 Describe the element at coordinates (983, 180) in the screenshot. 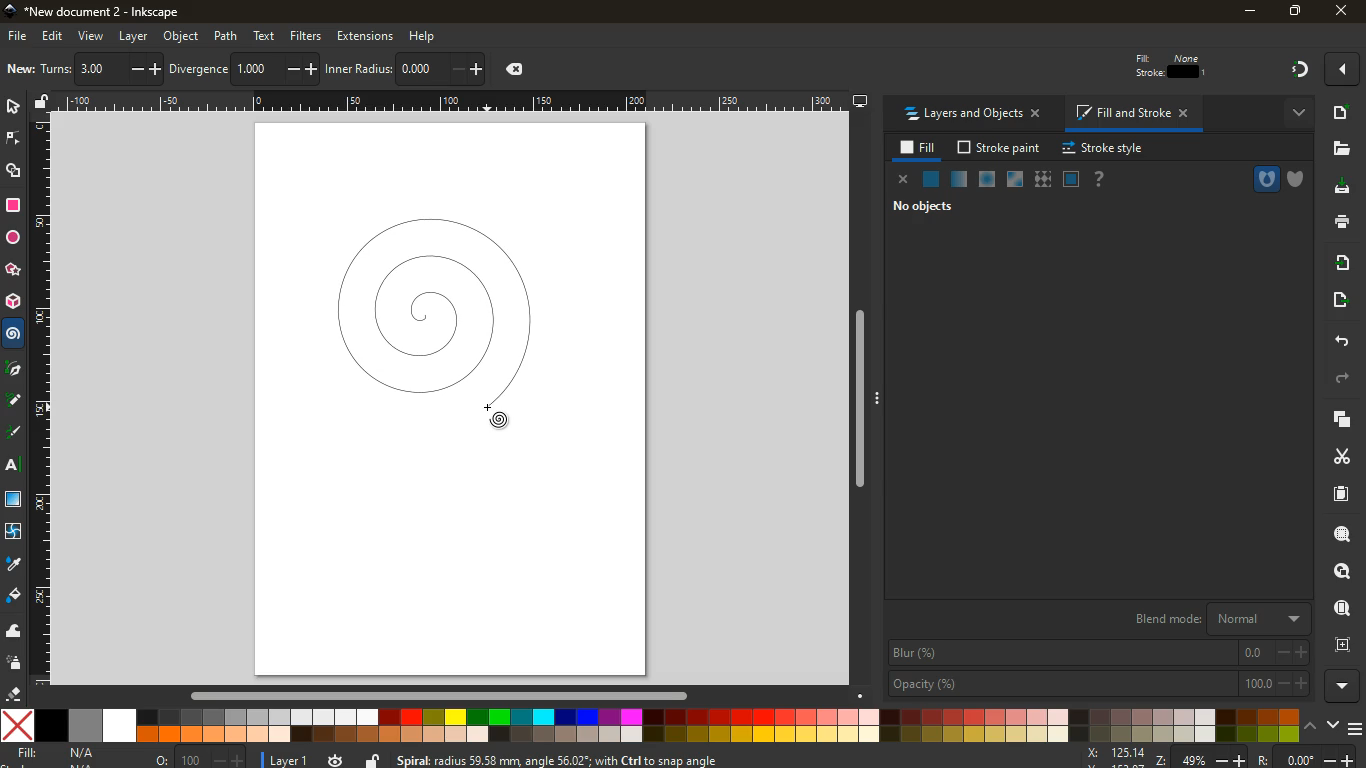

I see `ice` at that location.